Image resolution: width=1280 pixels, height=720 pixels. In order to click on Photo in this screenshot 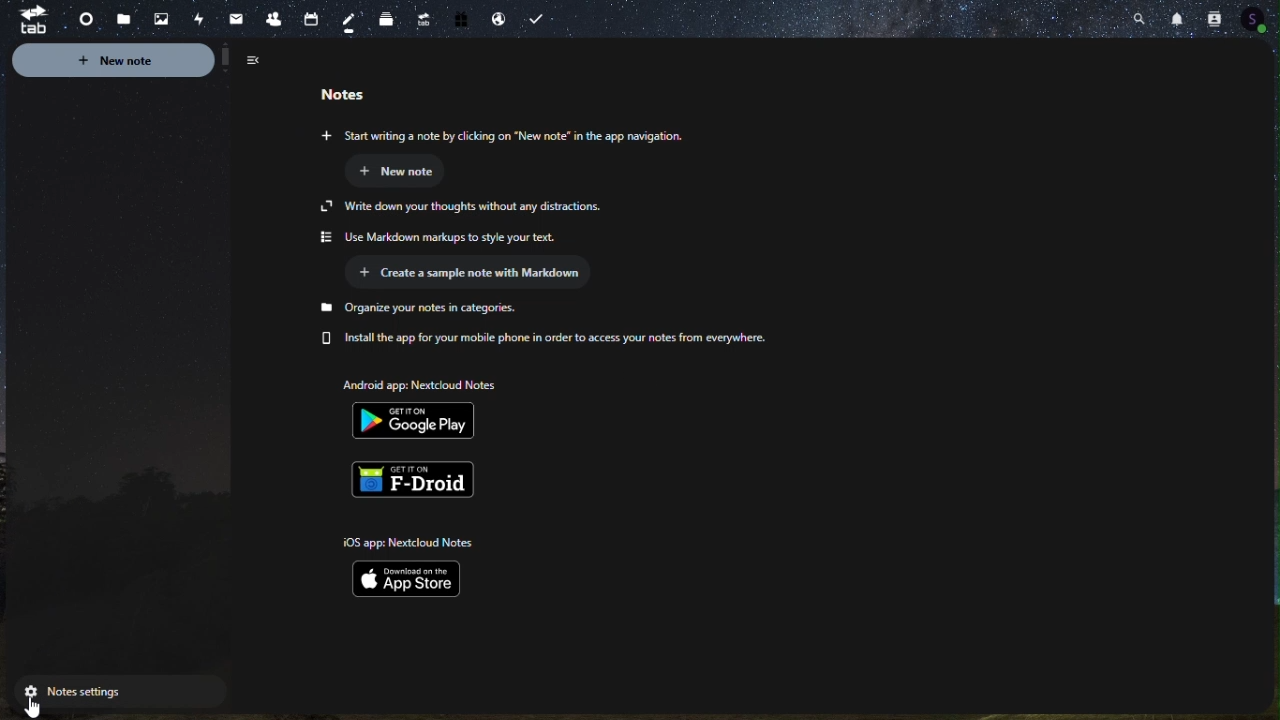, I will do `click(155, 20)`.